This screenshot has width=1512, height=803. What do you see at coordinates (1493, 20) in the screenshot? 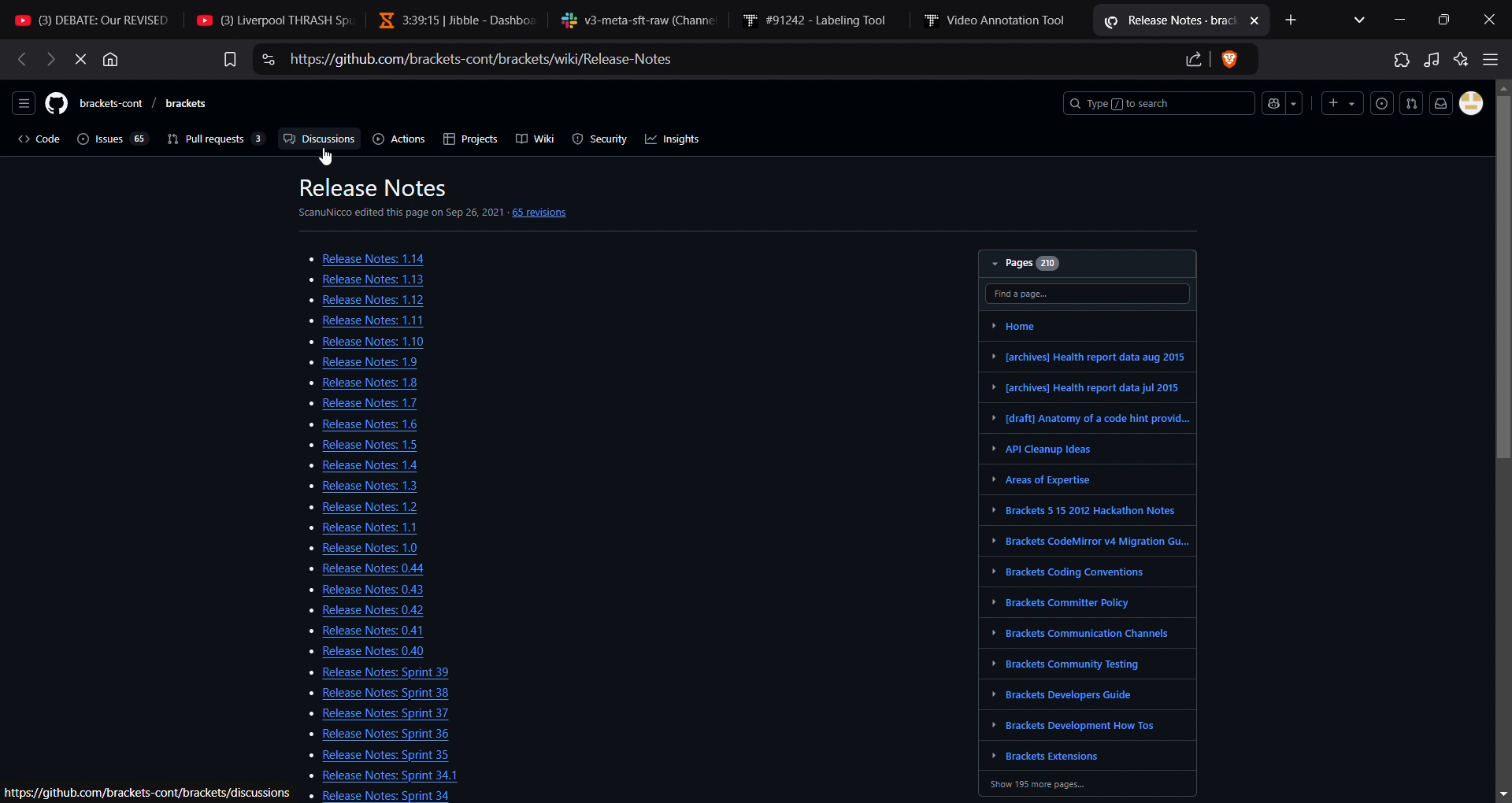
I see `close` at bounding box center [1493, 20].